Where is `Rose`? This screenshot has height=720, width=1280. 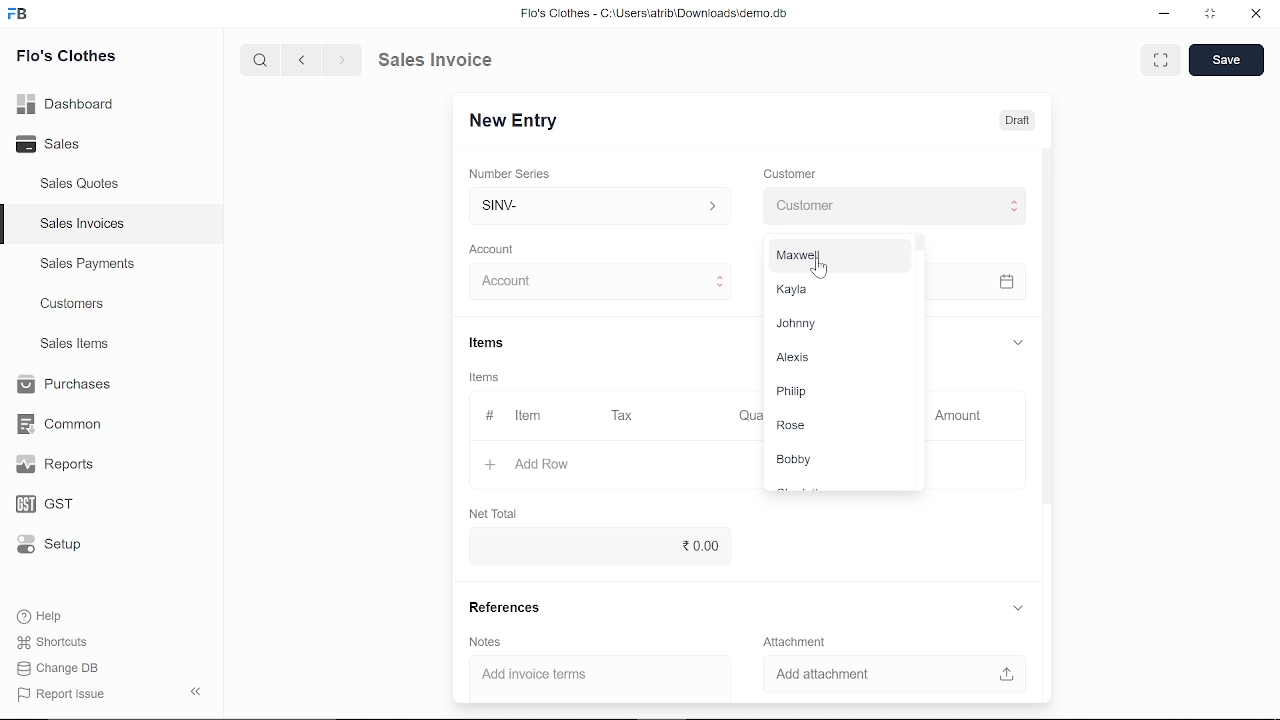 Rose is located at coordinates (830, 428).